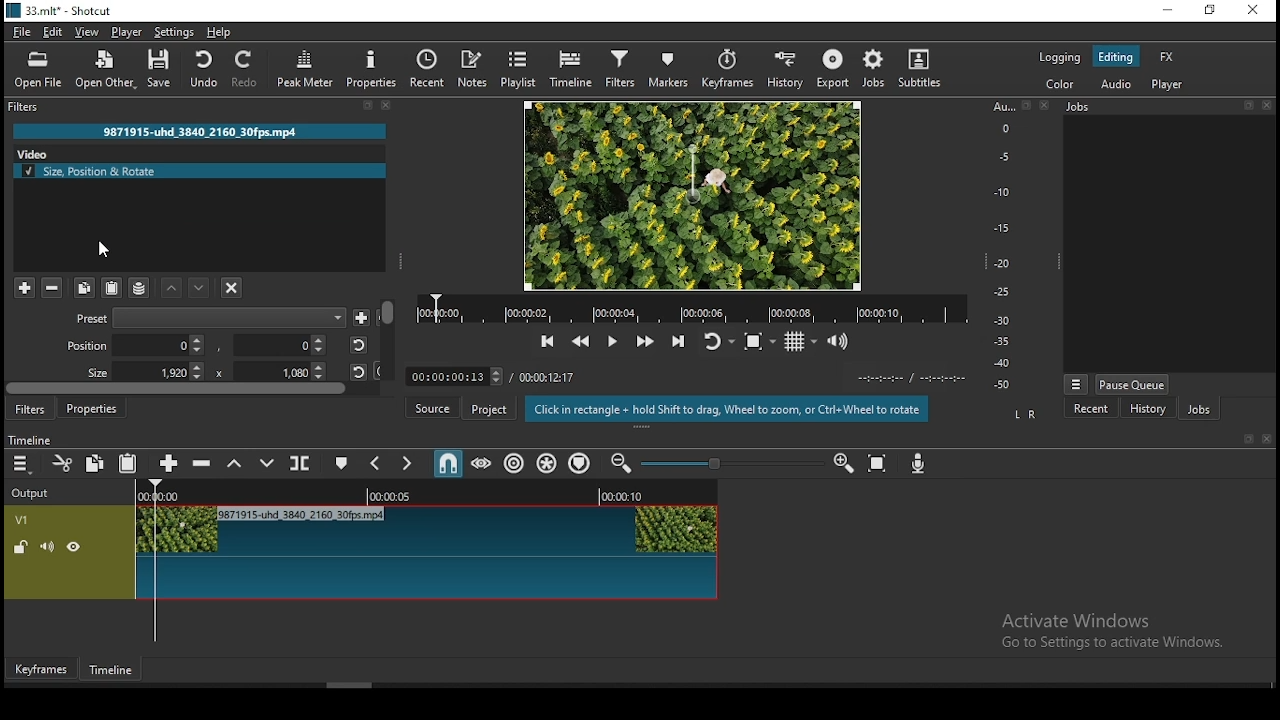 This screenshot has height=720, width=1280. I want to click on resize, so click(1247, 105).